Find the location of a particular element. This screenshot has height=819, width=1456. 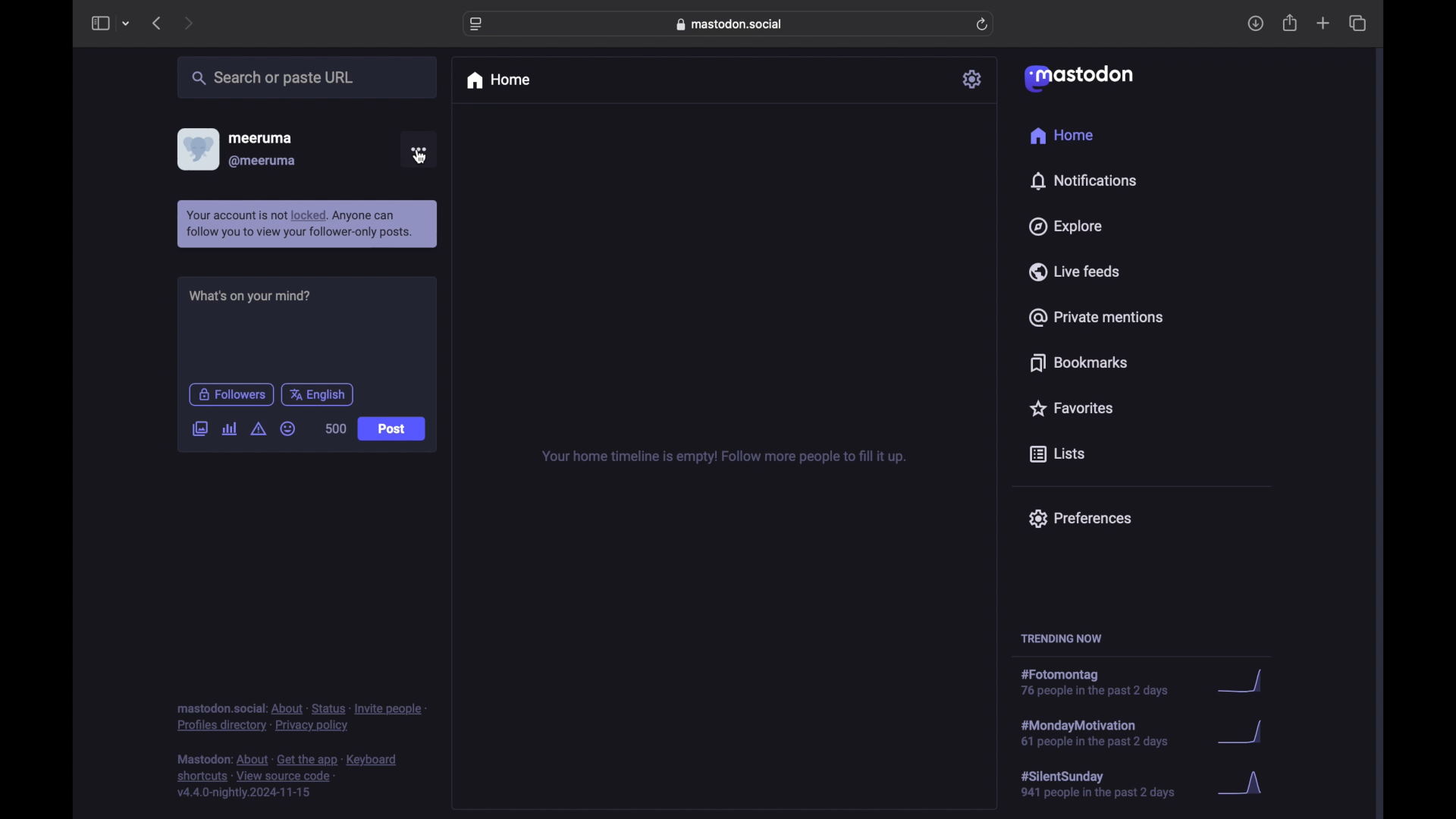

meeruma is located at coordinates (260, 138).